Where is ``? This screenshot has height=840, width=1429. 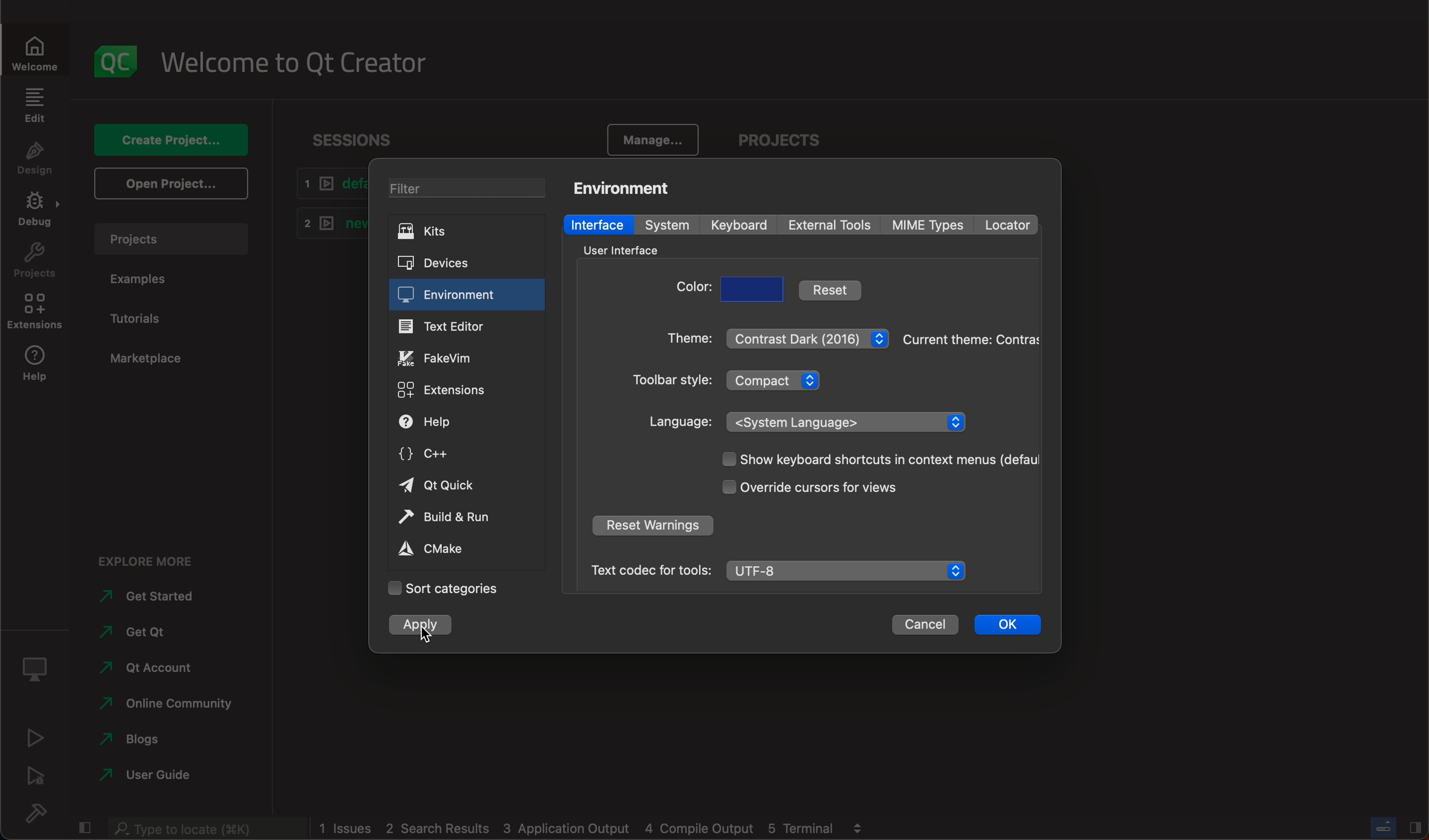  is located at coordinates (618, 250).